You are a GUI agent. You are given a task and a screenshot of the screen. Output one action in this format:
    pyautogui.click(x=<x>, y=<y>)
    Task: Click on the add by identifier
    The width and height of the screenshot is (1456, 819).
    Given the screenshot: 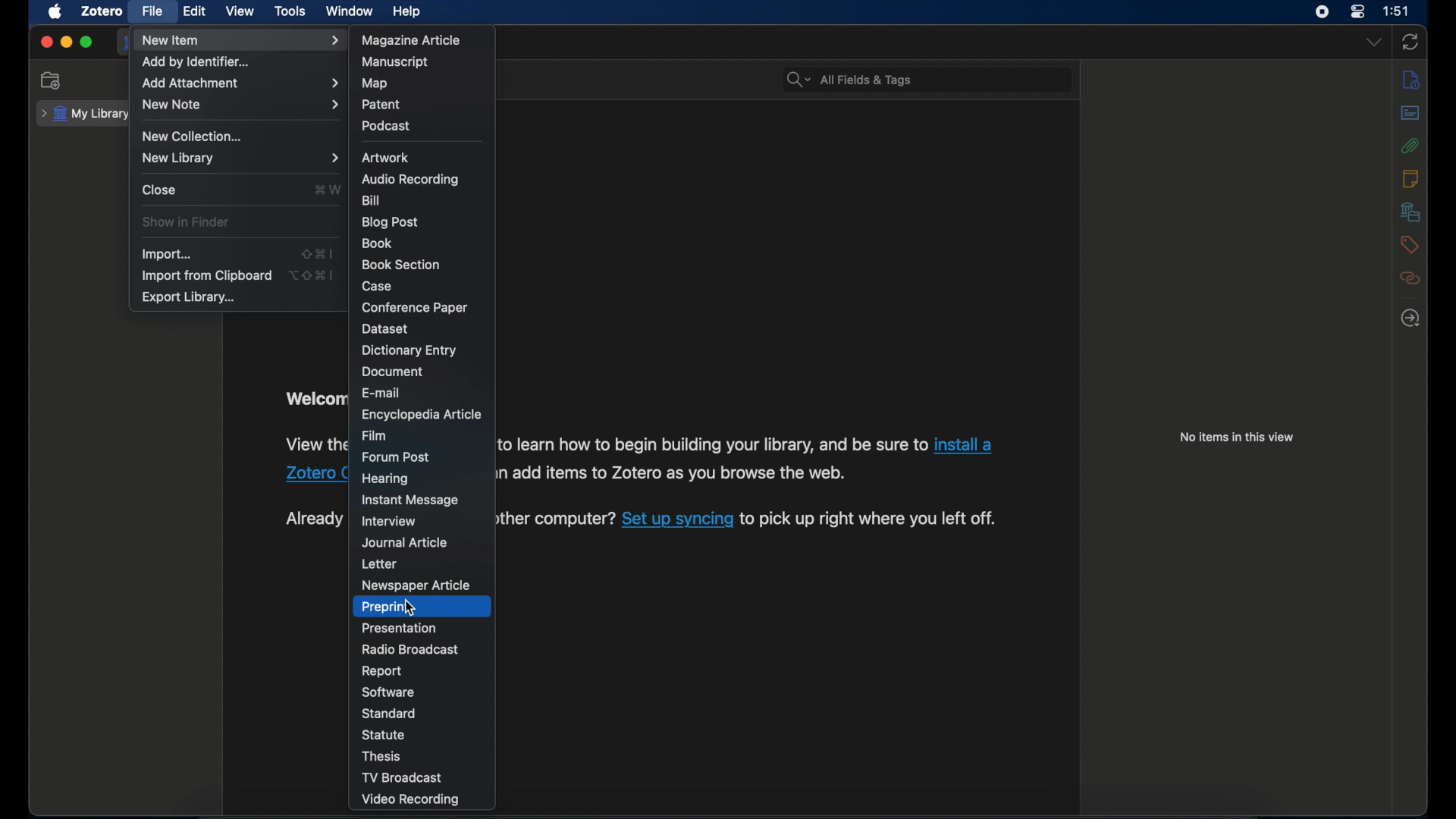 What is the action you would take?
    pyautogui.click(x=197, y=62)
    